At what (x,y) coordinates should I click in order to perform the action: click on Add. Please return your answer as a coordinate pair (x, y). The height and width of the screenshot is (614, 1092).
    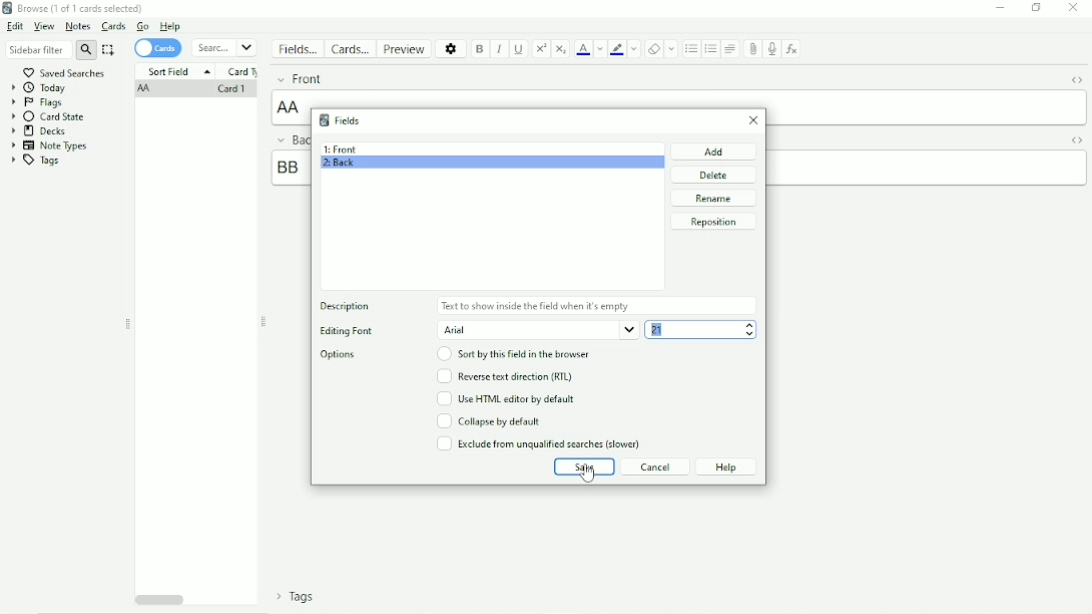
    Looking at the image, I should click on (715, 151).